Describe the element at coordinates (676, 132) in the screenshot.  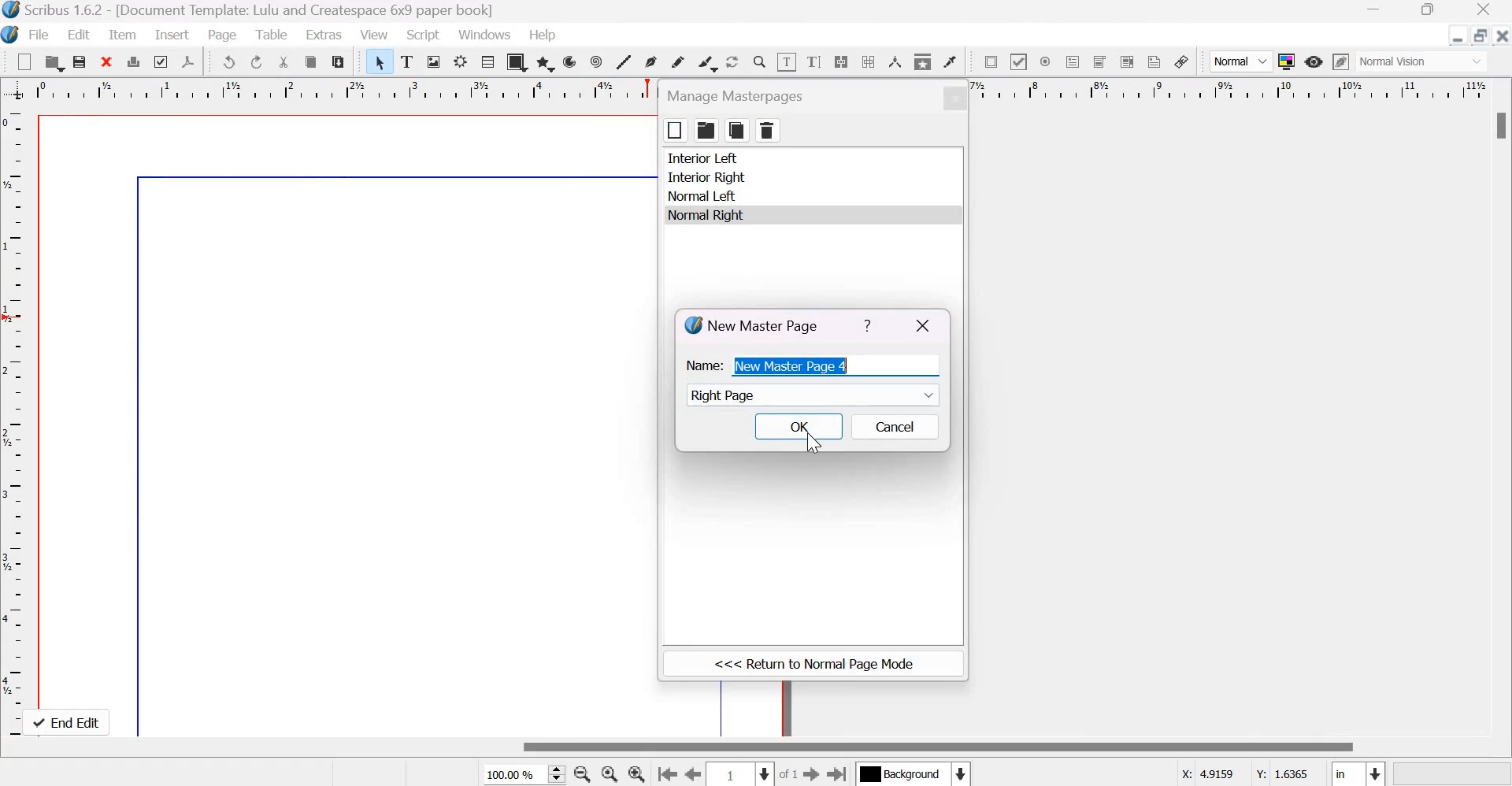
I see `box` at that location.